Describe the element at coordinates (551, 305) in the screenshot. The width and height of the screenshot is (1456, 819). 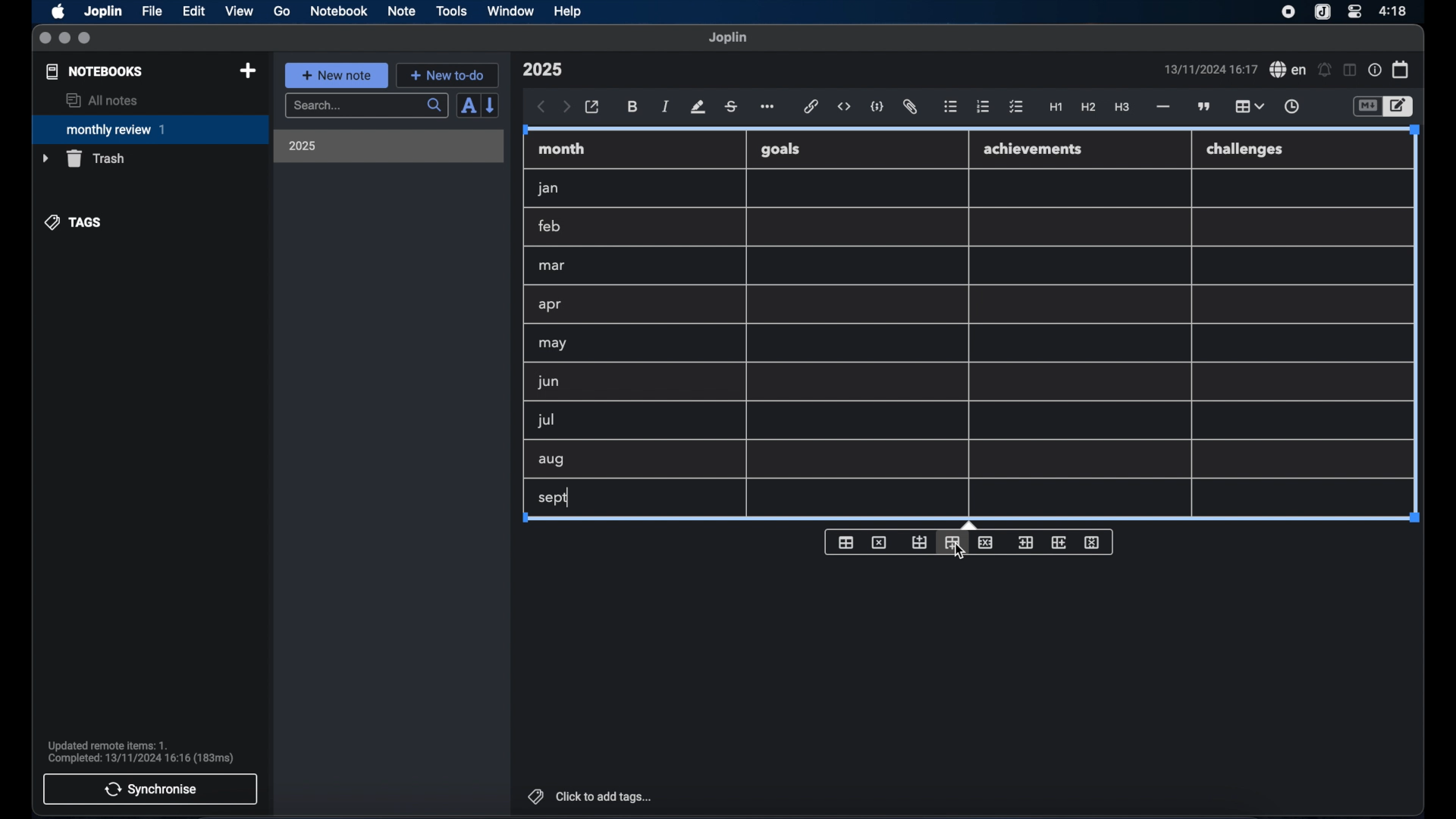
I see `apr` at that location.